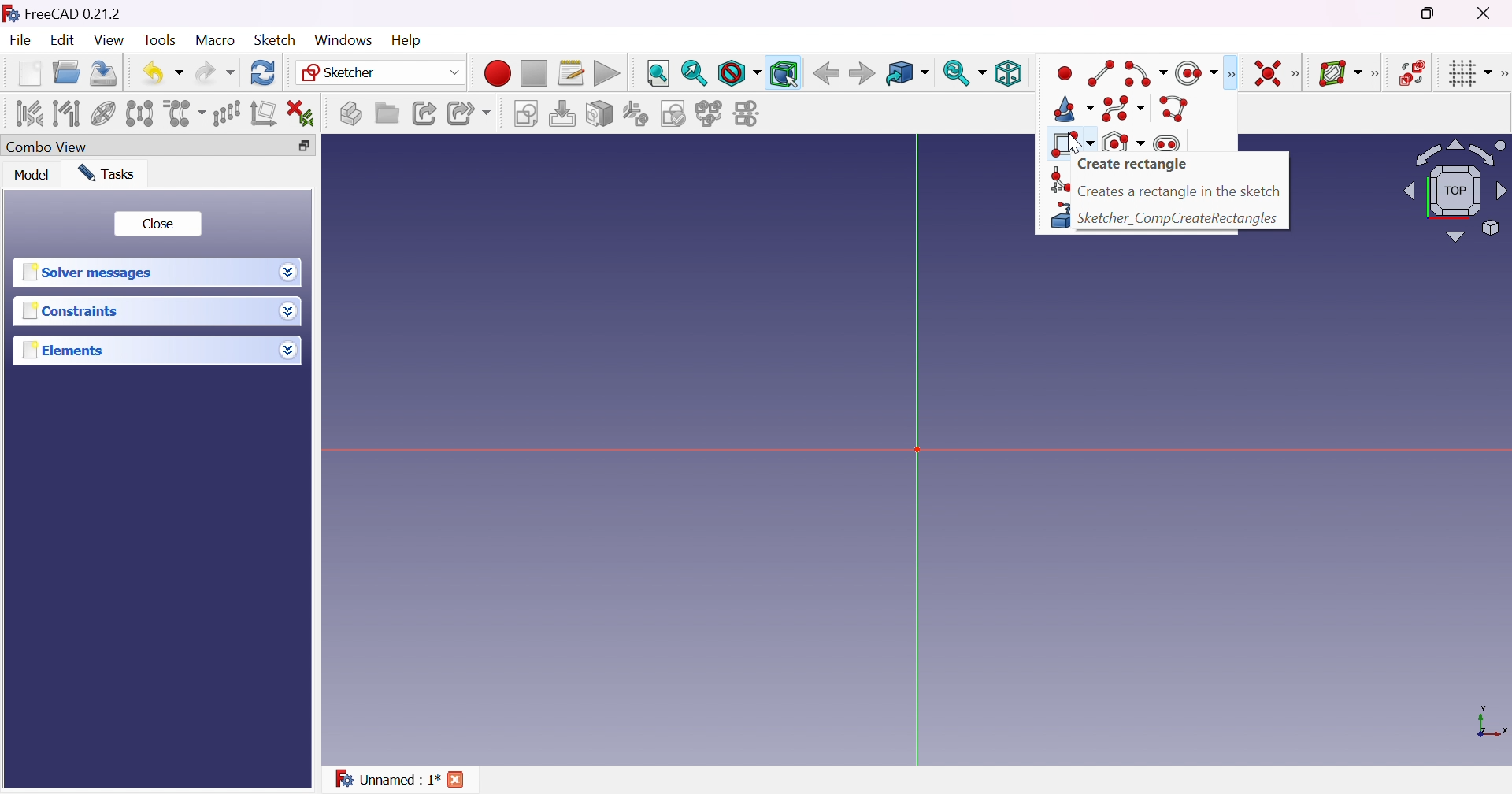 The height and width of the screenshot is (794, 1512). What do you see at coordinates (1199, 72) in the screenshot?
I see `Create circle` at bounding box center [1199, 72].